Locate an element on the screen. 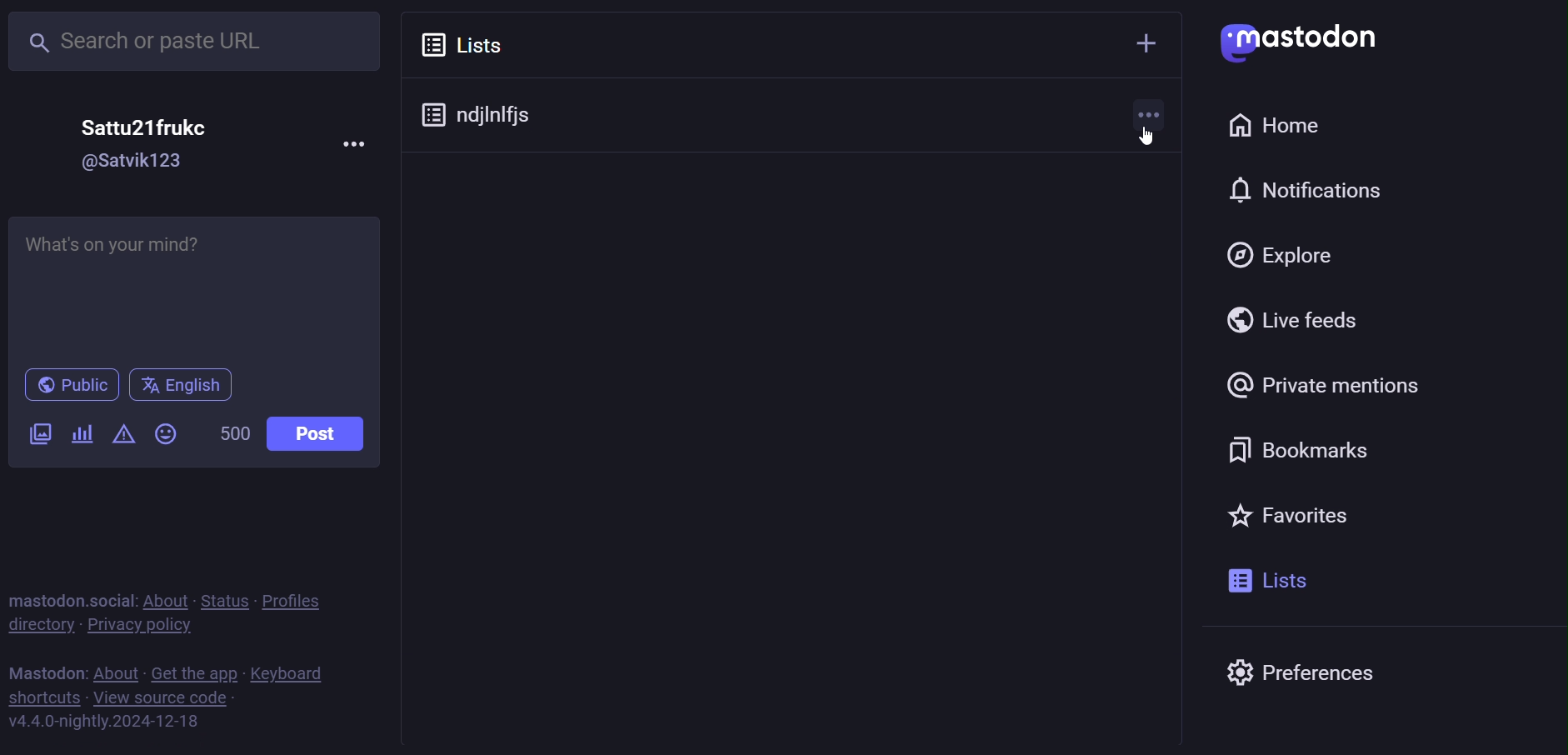 This screenshot has height=755, width=1568. english is located at coordinates (180, 386).